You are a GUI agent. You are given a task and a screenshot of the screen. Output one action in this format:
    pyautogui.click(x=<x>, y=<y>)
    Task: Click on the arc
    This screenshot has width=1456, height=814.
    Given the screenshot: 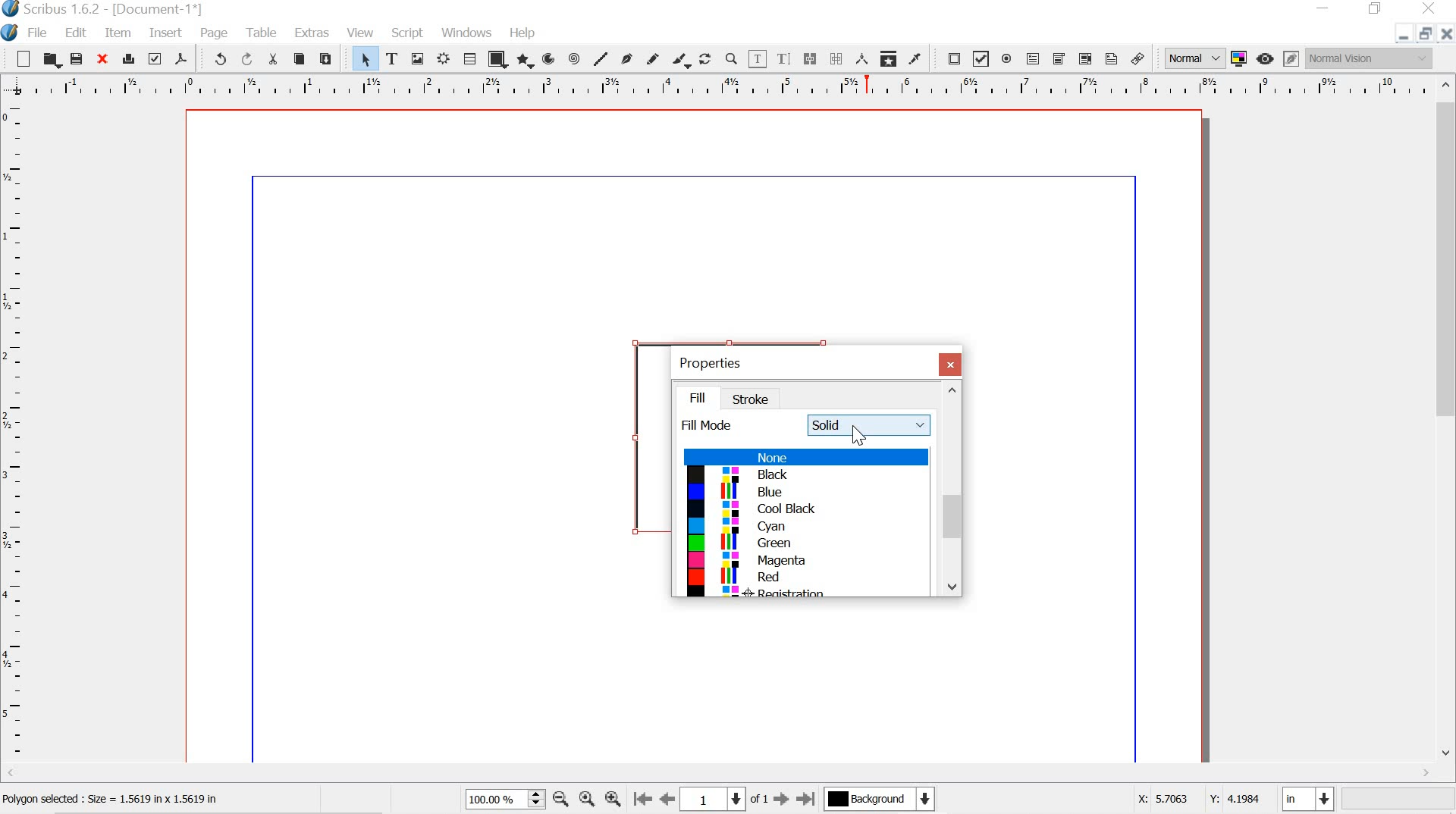 What is the action you would take?
    pyautogui.click(x=550, y=58)
    